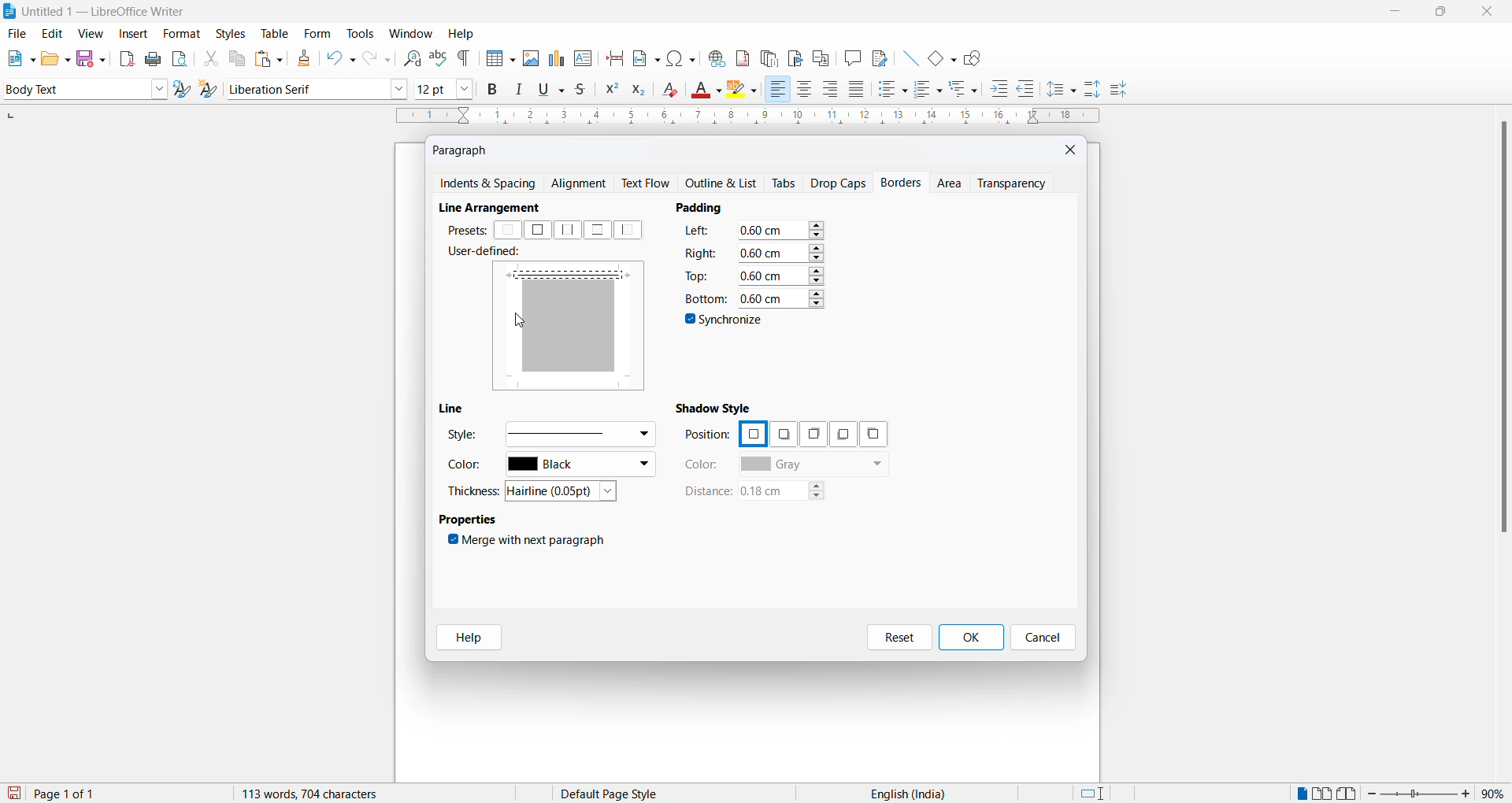 The height and width of the screenshot is (803, 1512). I want to click on close, so click(1072, 149).